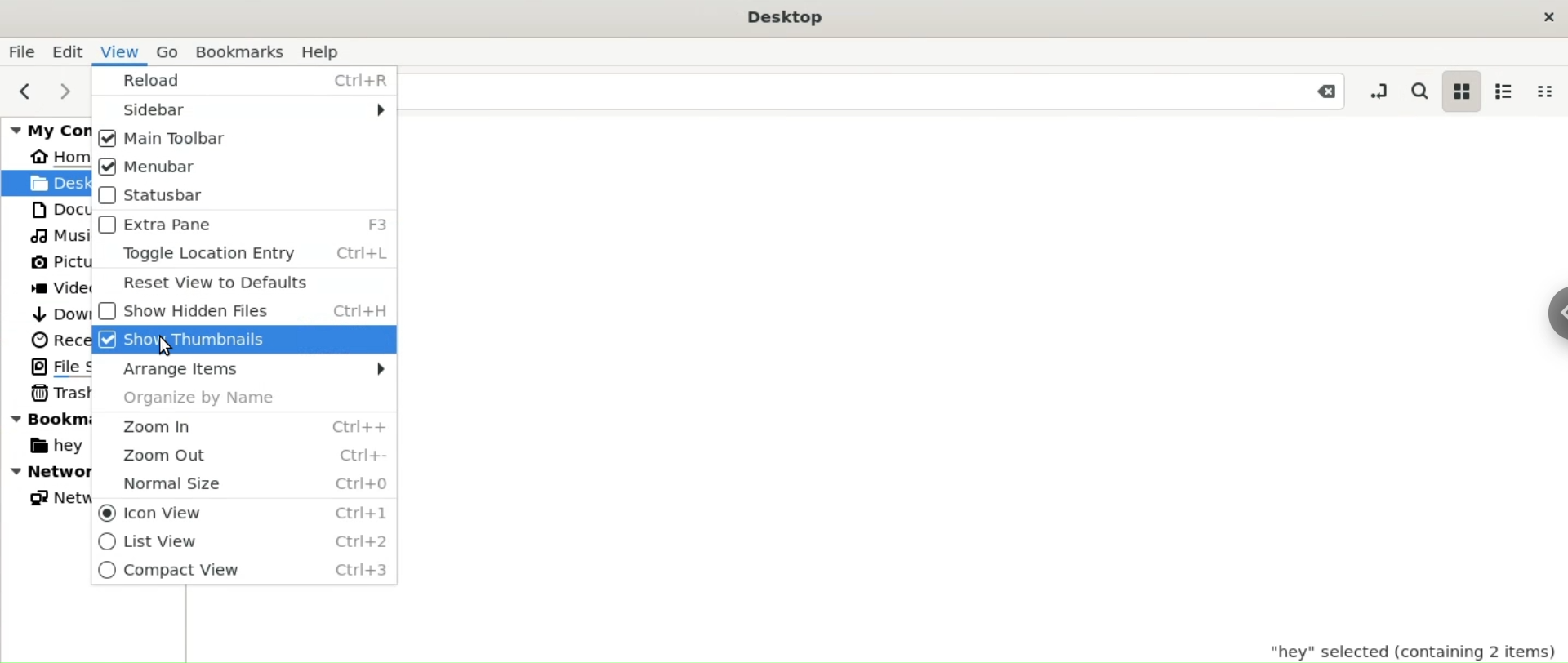  Describe the element at coordinates (324, 50) in the screenshot. I see `Help` at that location.